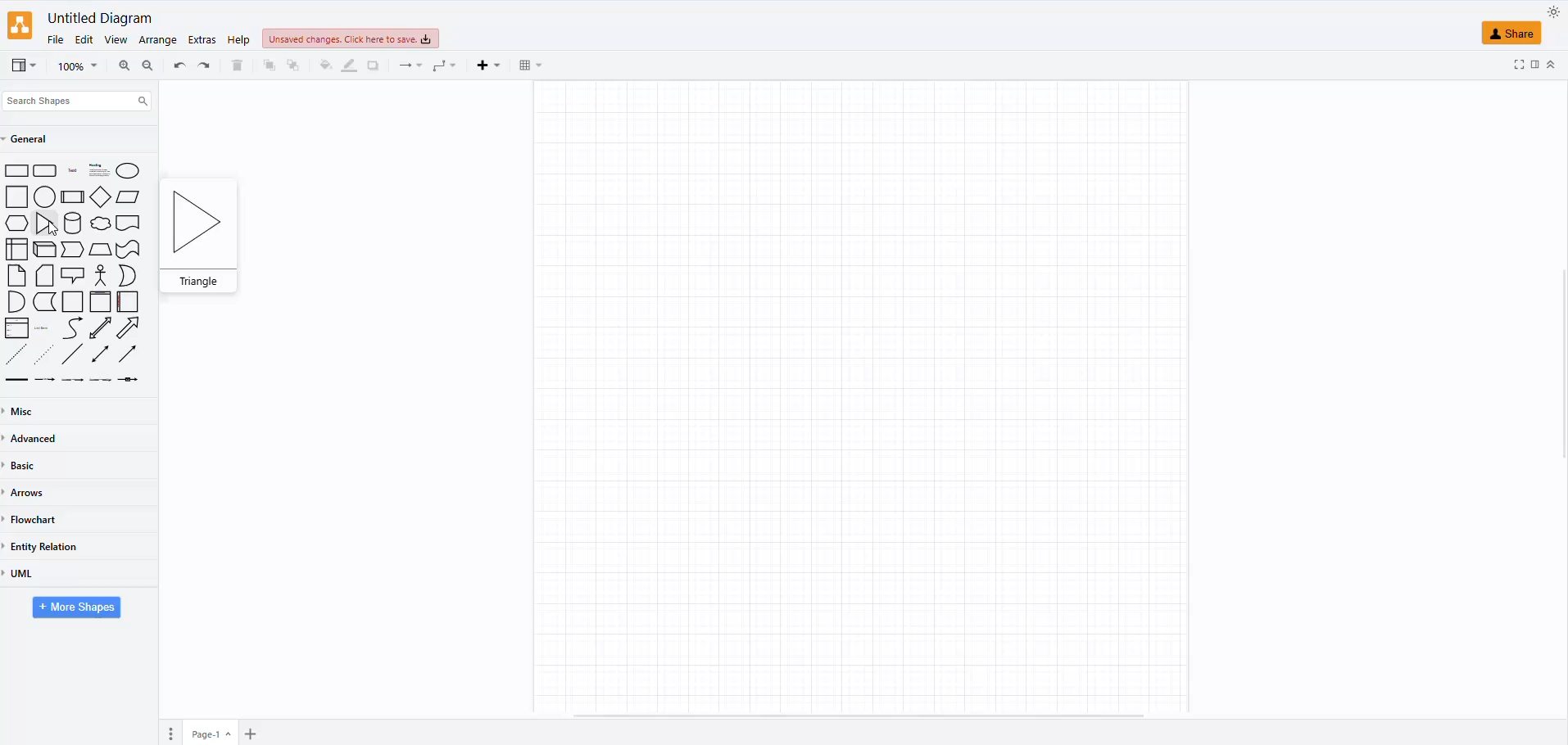  I want to click on Bordered Arrow, so click(129, 328).